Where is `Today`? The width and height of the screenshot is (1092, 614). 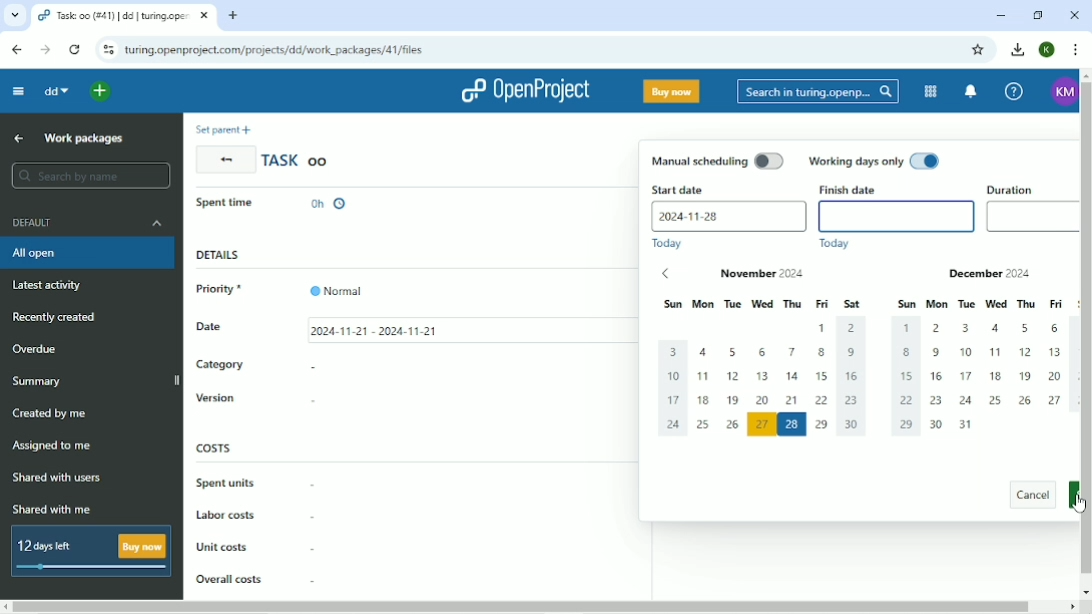
Today is located at coordinates (668, 243).